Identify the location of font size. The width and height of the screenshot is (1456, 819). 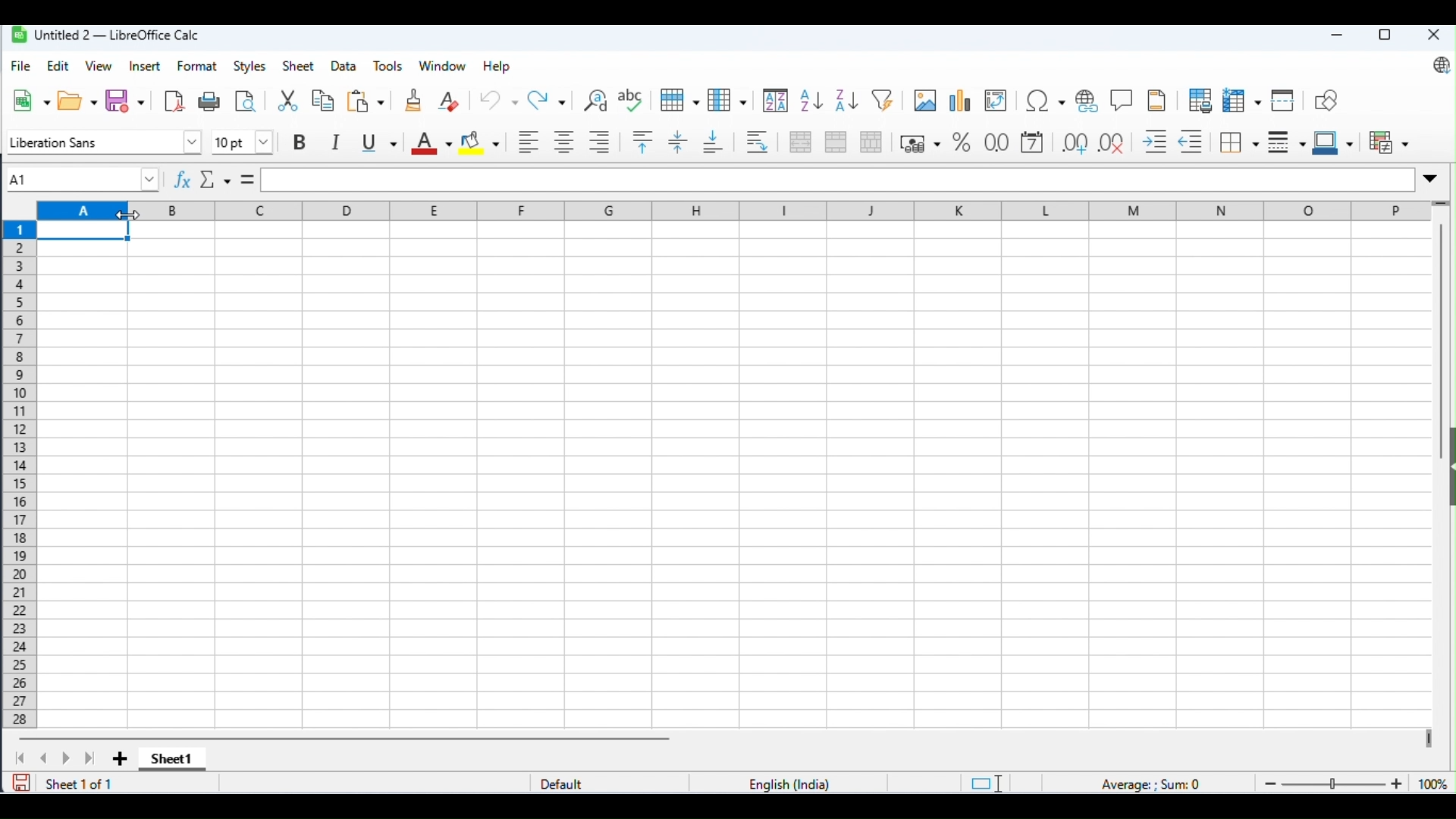
(240, 142).